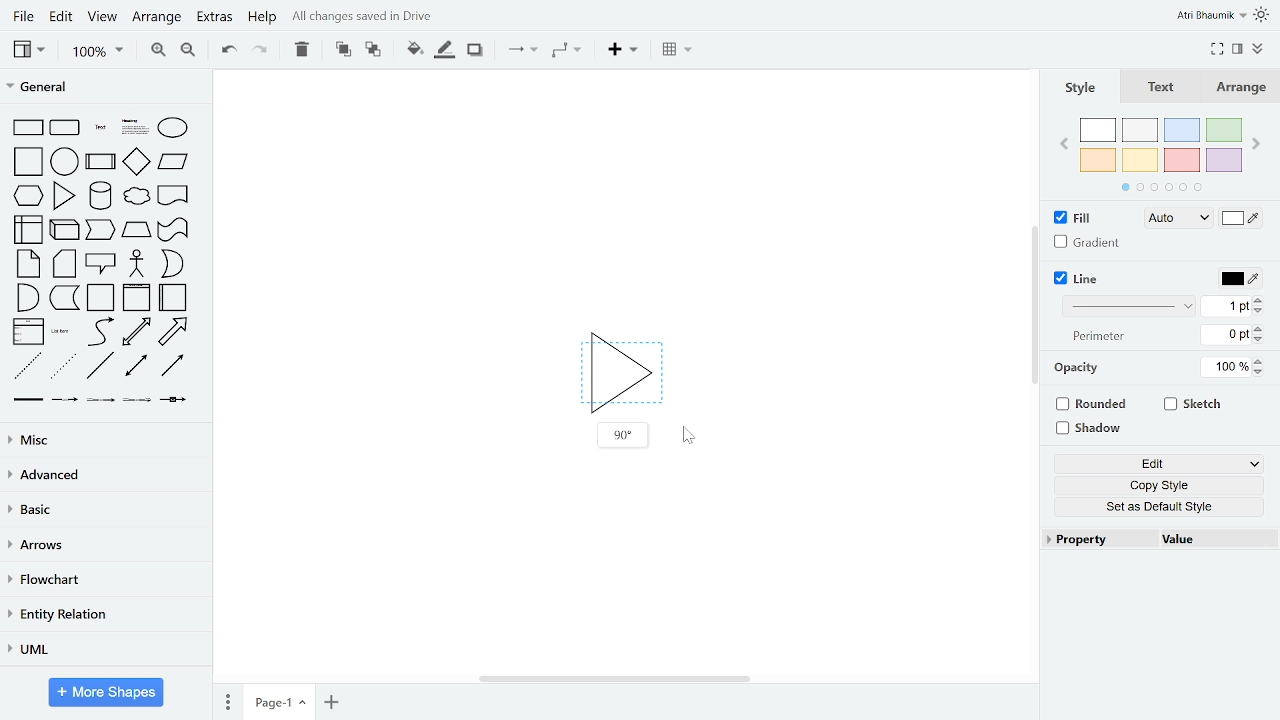 The image size is (1280, 720). What do you see at coordinates (171, 264) in the screenshot?
I see `or` at bounding box center [171, 264].